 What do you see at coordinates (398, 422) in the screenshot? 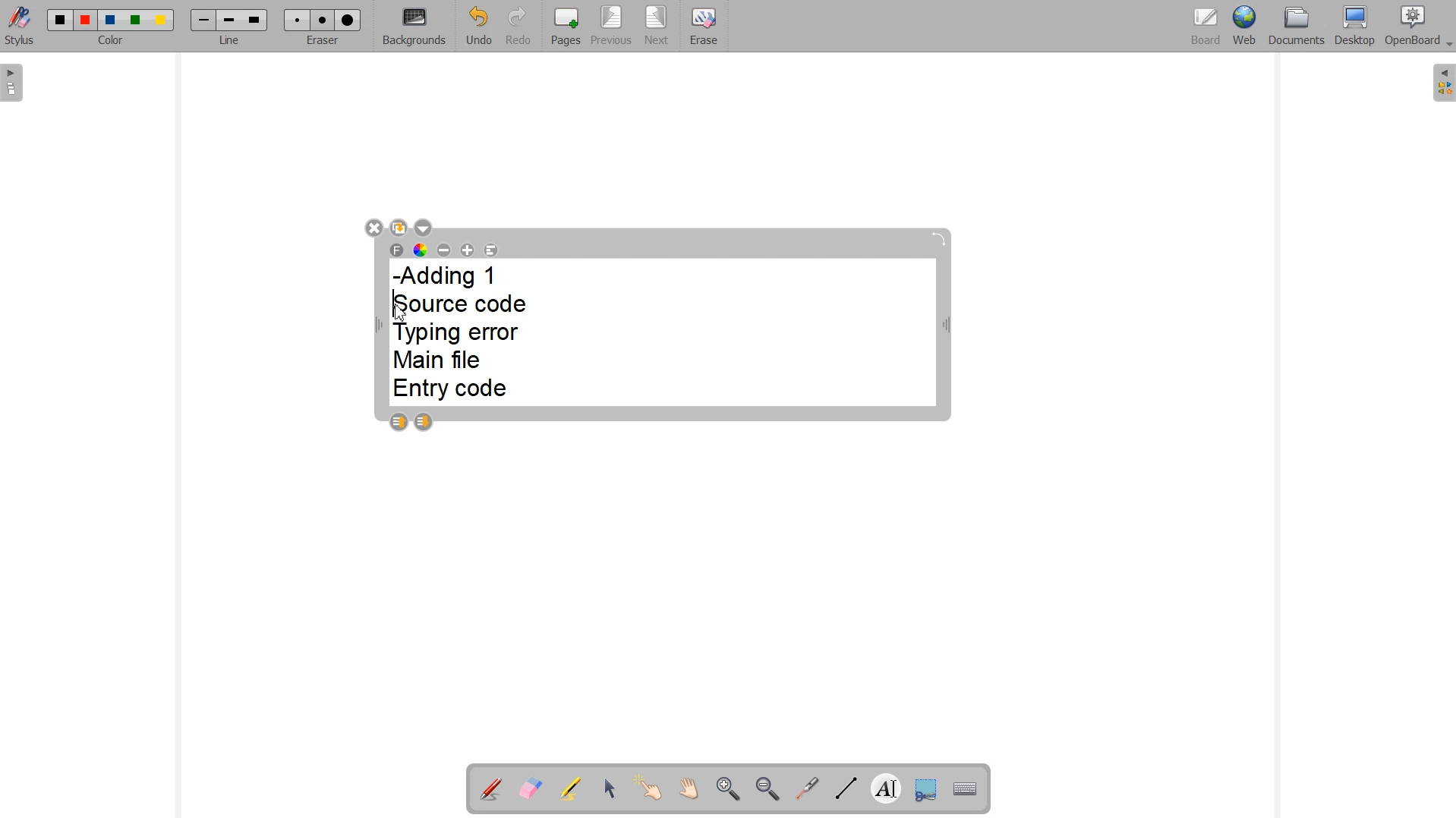
I see `Layer up` at bounding box center [398, 422].